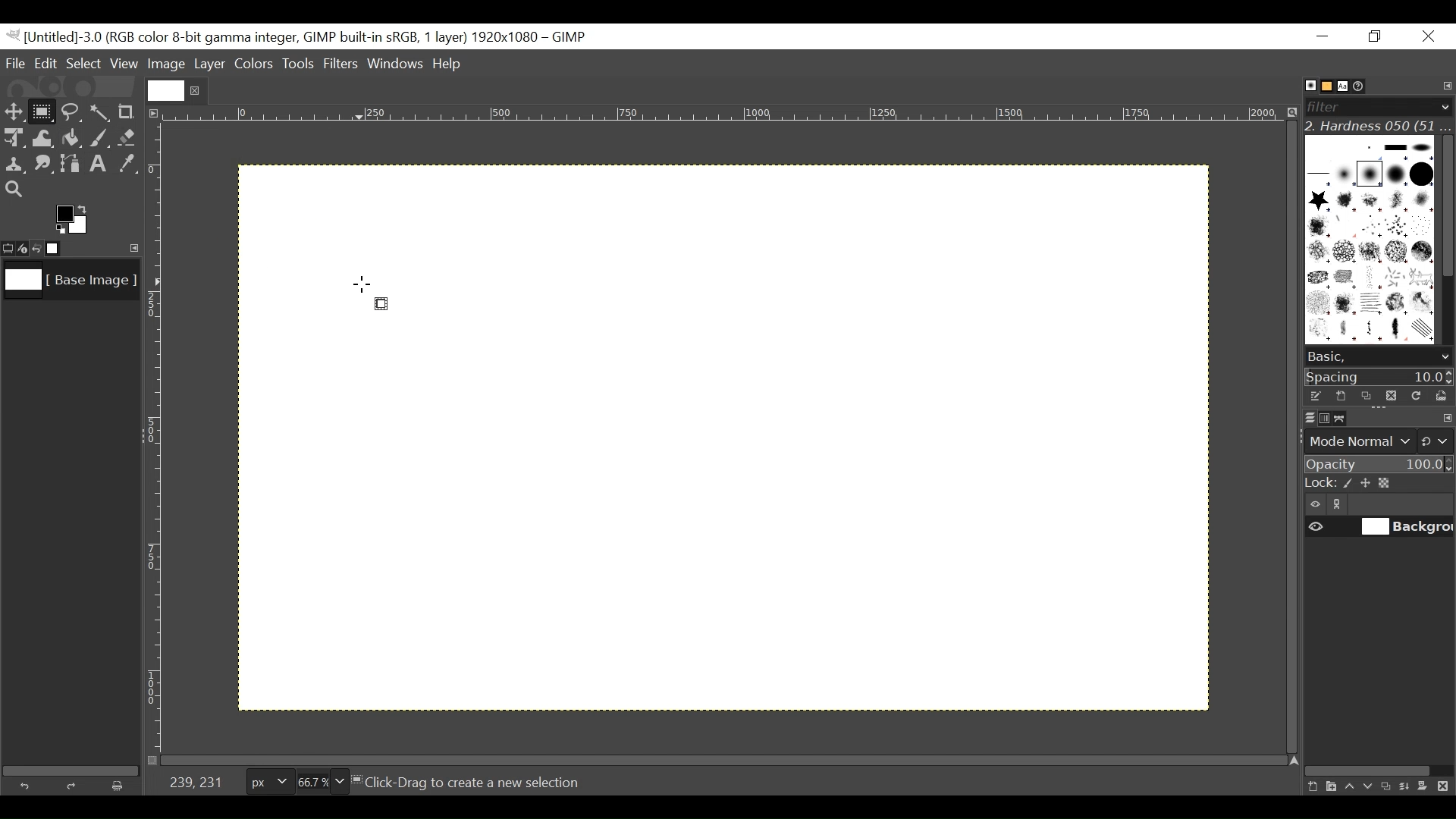 The image size is (1456, 819). I want to click on Refresh, so click(1414, 394).